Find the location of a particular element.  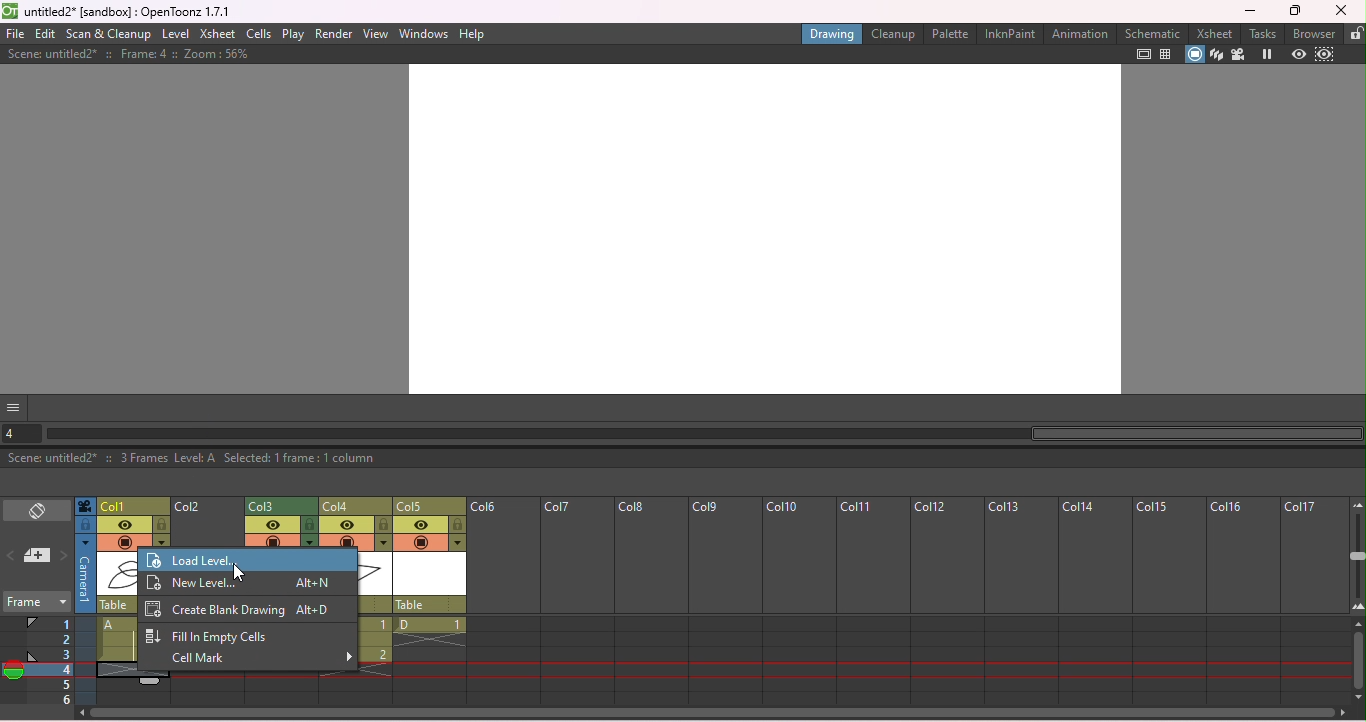

cells mark is located at coordinates (254, 659).